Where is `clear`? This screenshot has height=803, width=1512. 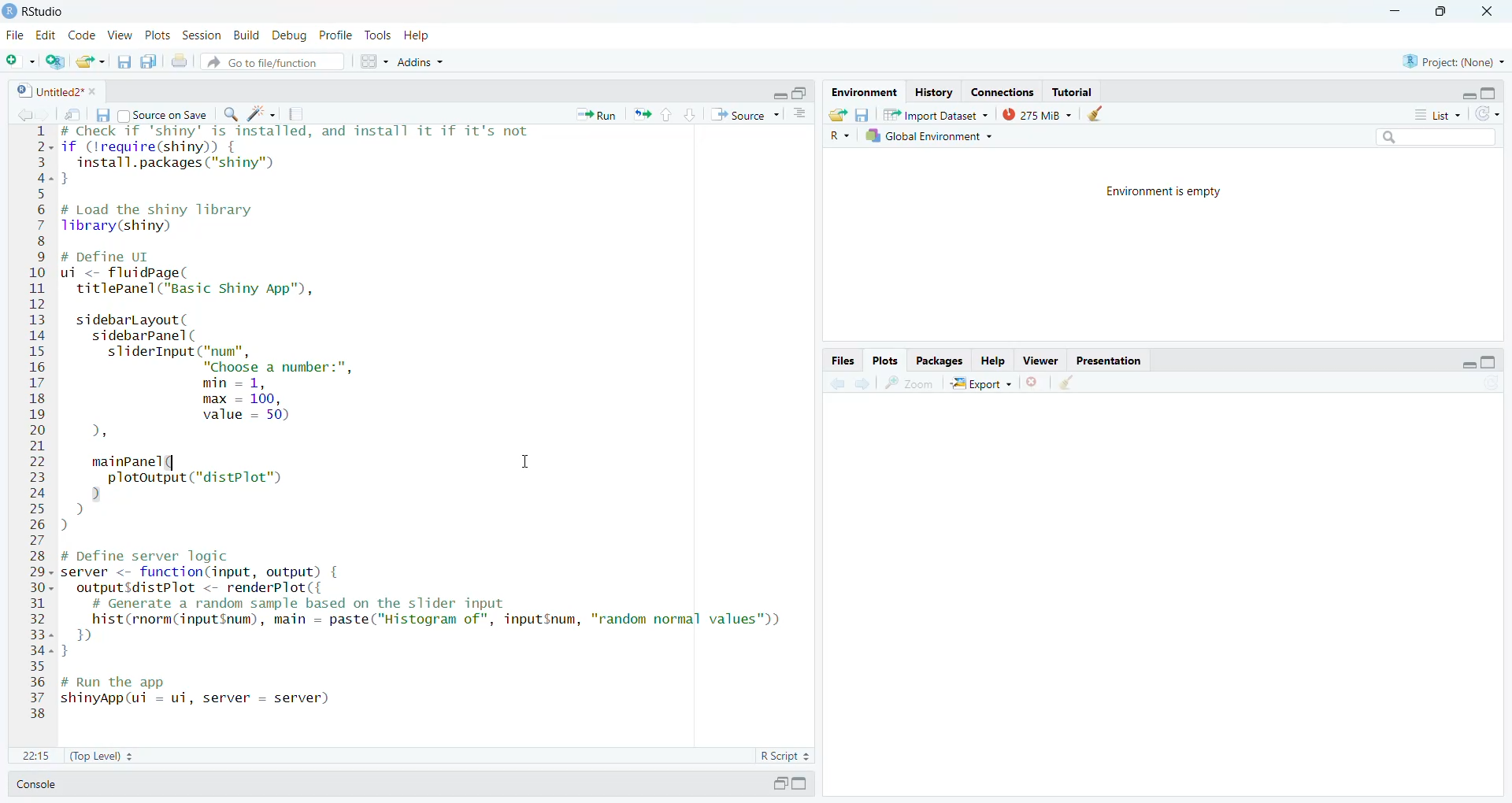
clear is located at coordinates (1066, 381).